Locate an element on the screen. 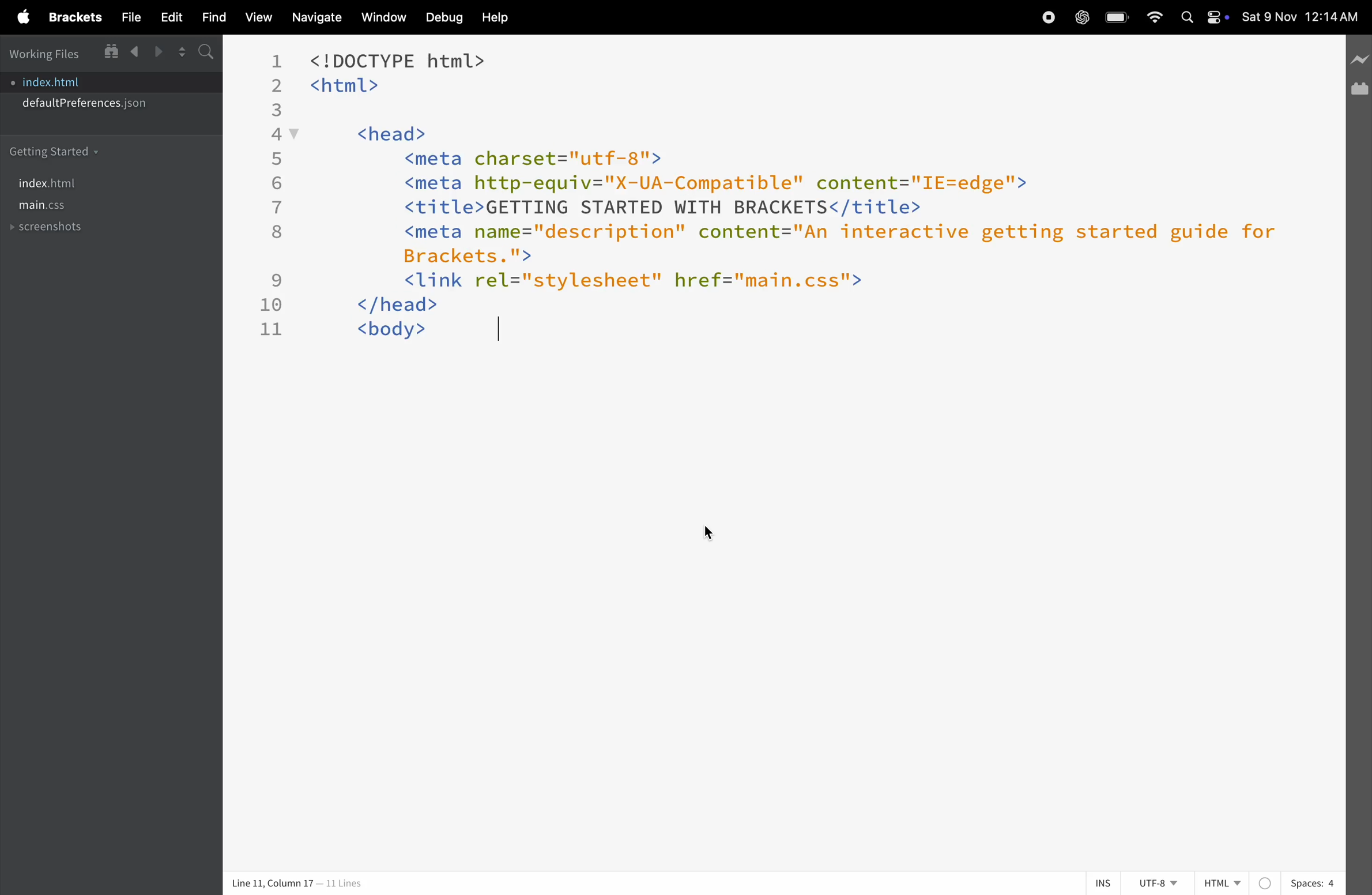  <!DOCTYPE html>
<html>
<head>
<meta charset="utf-8">
<meta http-equiv="X-UA-Compatible" content="IE=edge">
<title>GETTING STARTED WITH BRACKETS</title>
<meta name="description" content="An interactive getting started guide for
Brackets.">
<link rel="stylesheet" href="main.css">
</head>
<body> is located at coordinates (791, 194).